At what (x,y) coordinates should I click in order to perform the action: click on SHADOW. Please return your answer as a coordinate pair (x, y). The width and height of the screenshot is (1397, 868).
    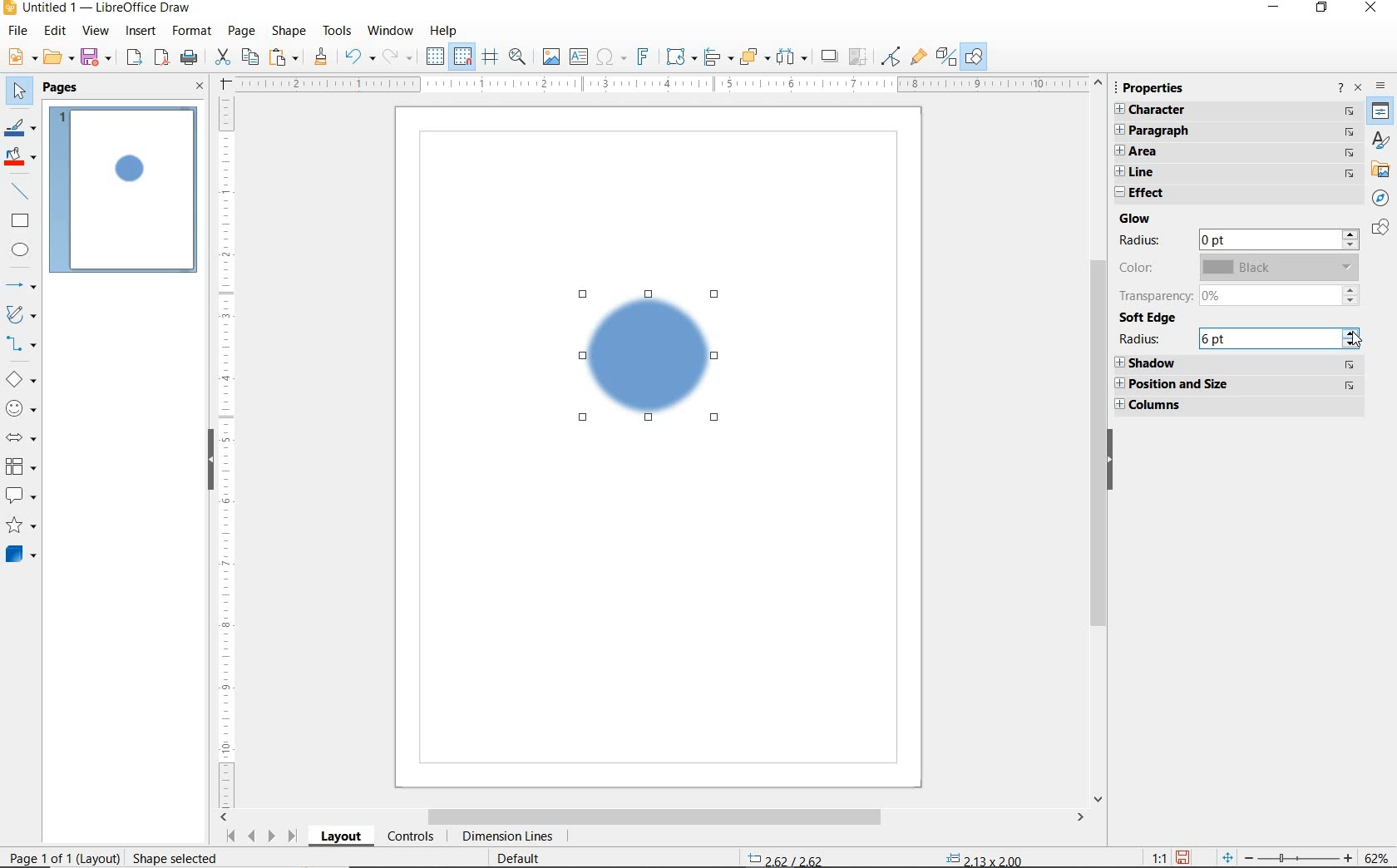
    Looking at the image, I should click on (829, 57).